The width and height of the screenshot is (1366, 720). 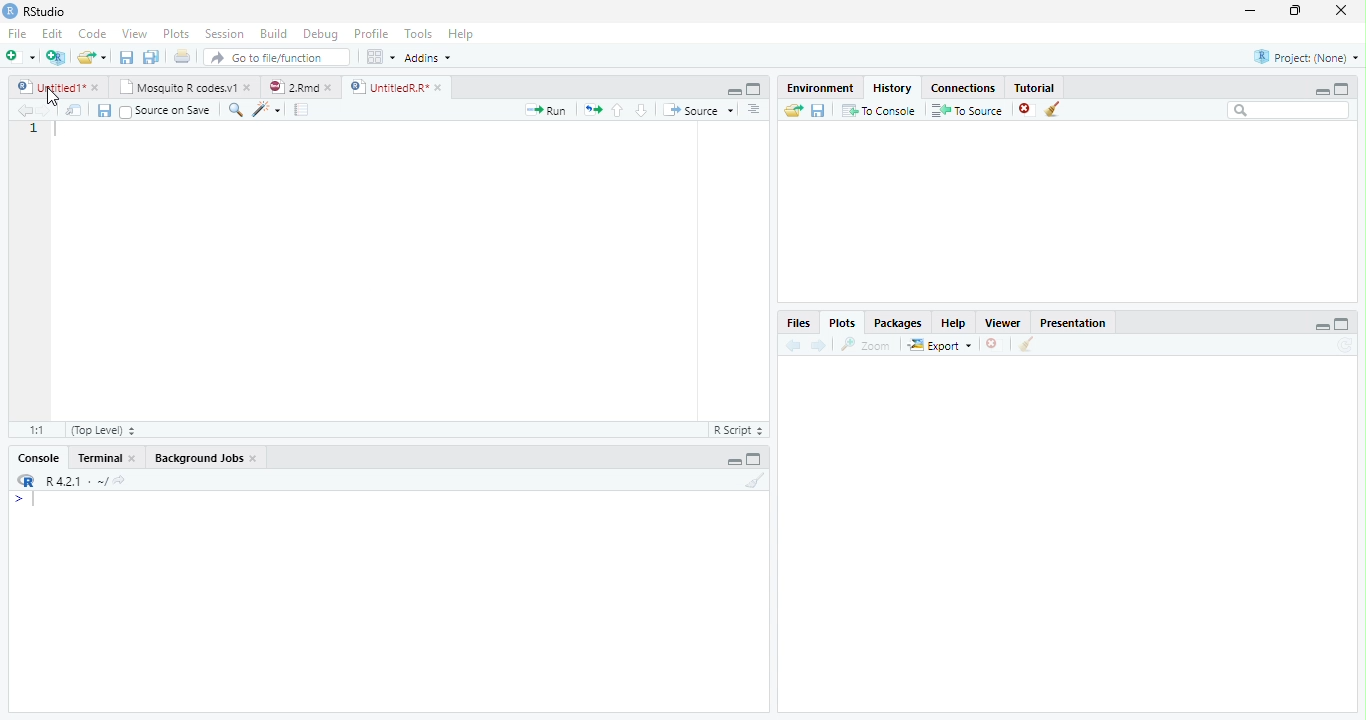 What do you see at coordinates (880, 110) in the screenshot?
I see `To console` at bounding box center [880, 110].